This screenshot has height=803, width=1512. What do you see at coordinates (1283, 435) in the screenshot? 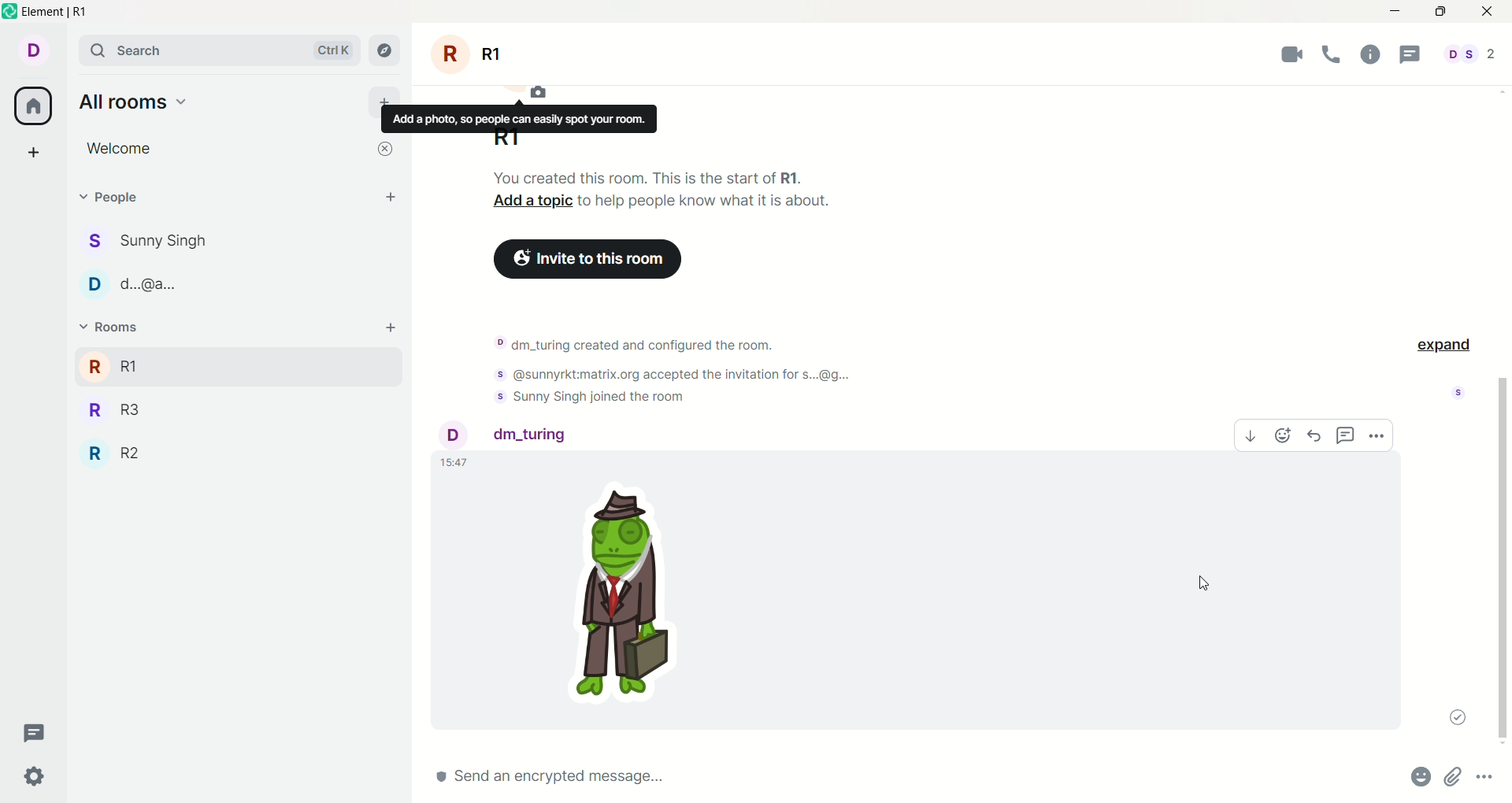
I see `emoji` at bounding box center [1283, 435].